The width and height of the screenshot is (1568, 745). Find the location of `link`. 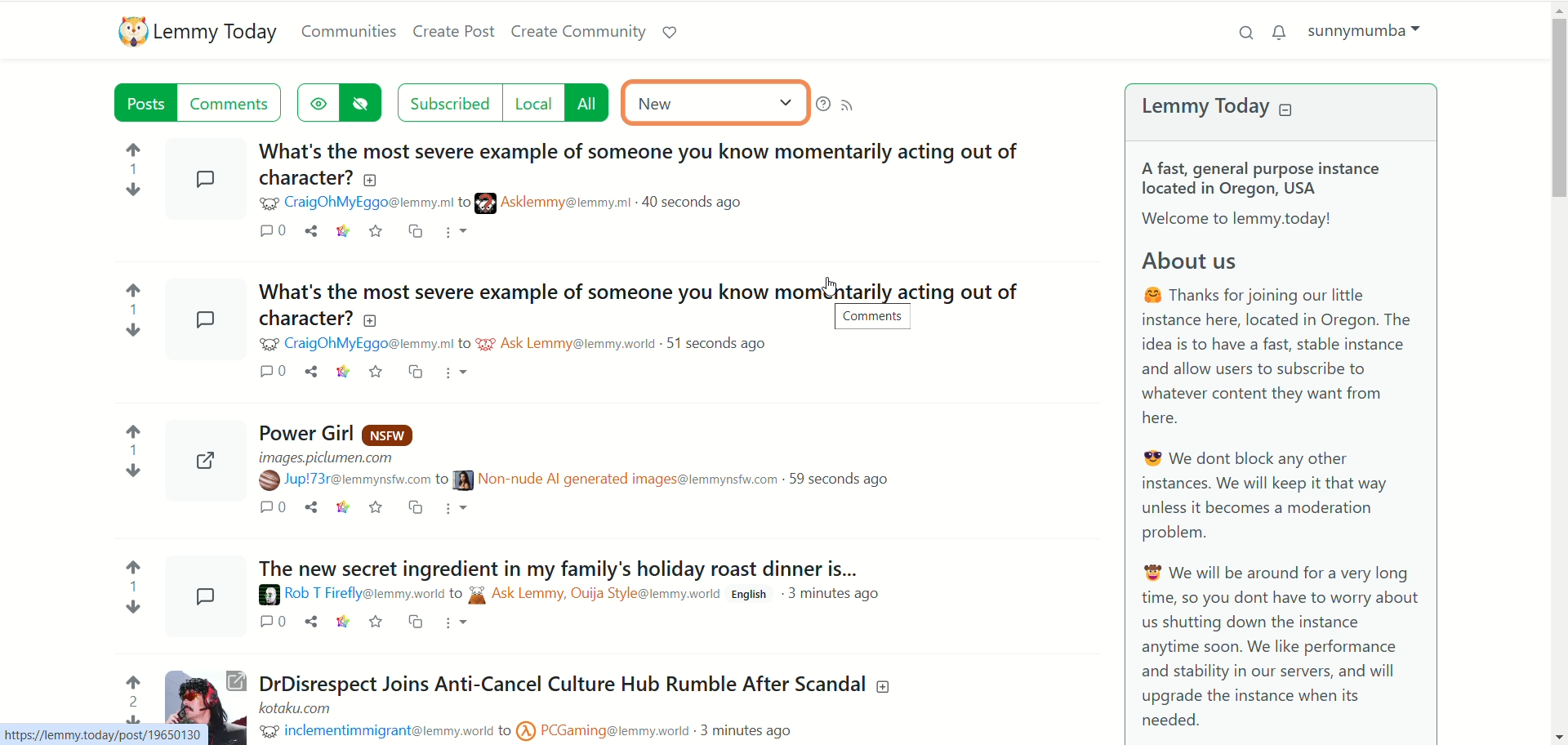

link is located at coordinates (342, 372).